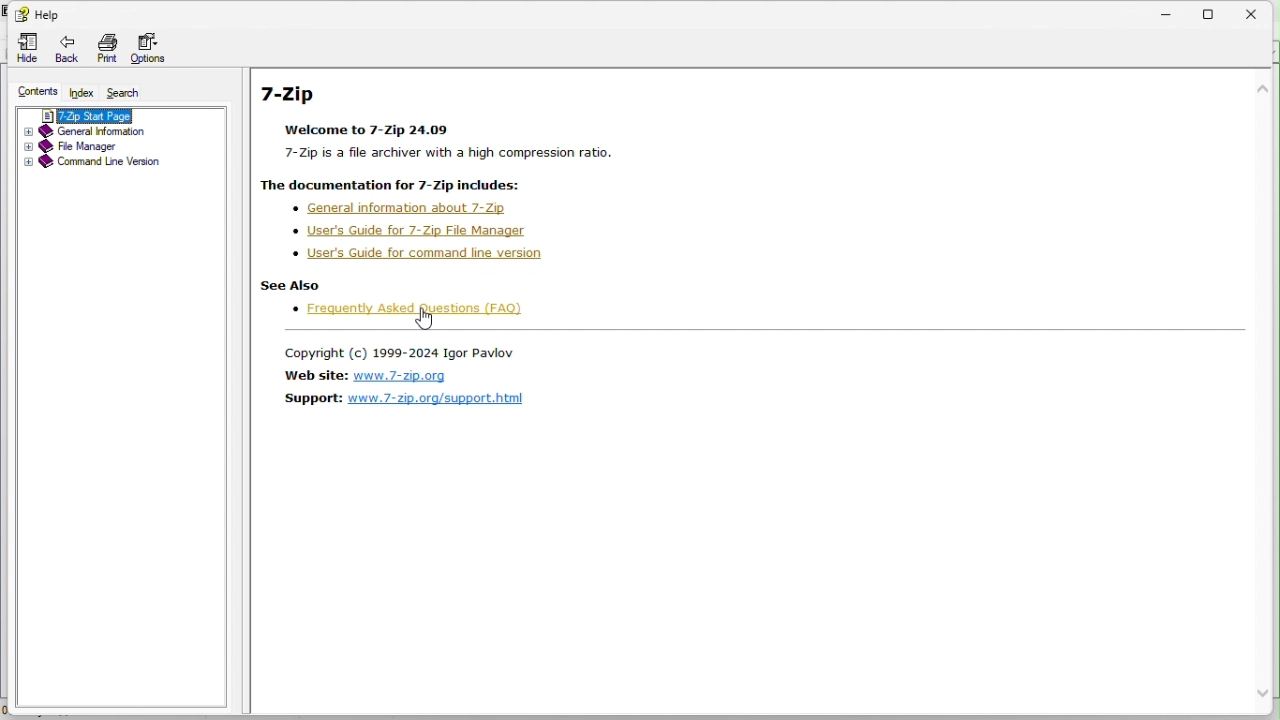 This screenshot has height=720, width=1280. Describe the element at coordinates (83, 93) in the screenshot. I see `FREE TRIAL EXPIREDindex` at that location.